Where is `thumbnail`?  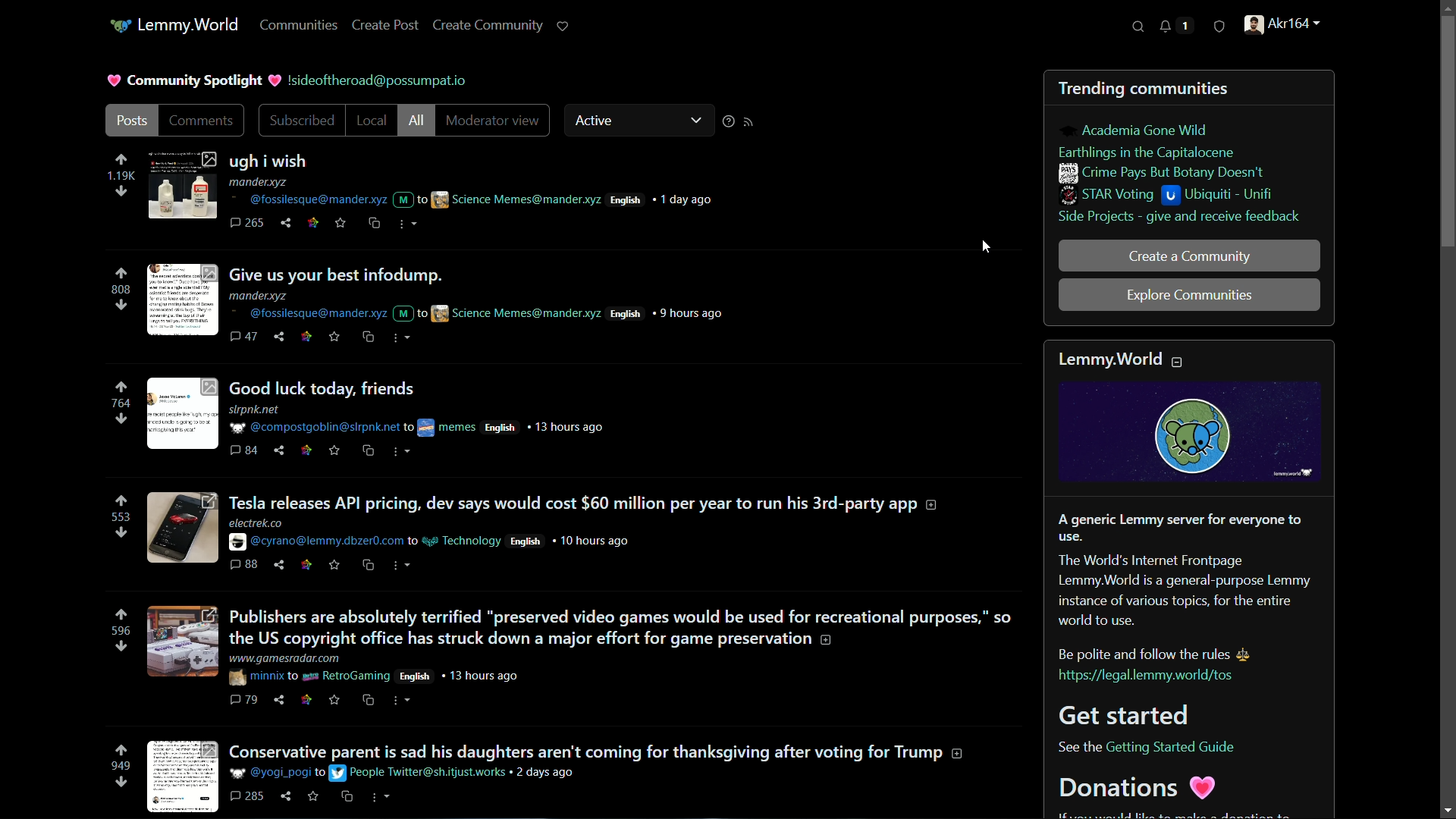
thumbnail is located at coordinates (179, 777).